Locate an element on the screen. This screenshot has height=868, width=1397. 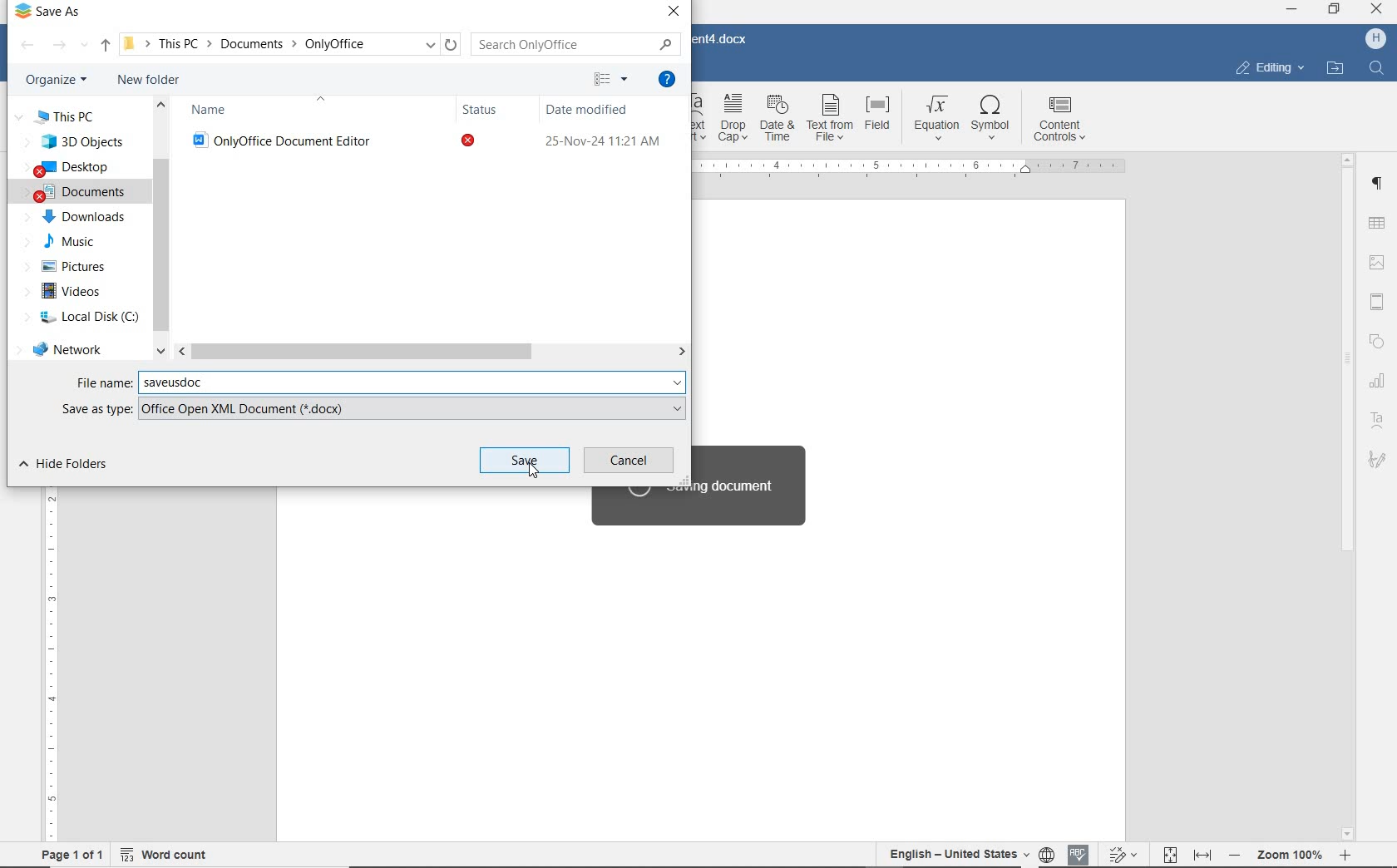
local disk (C) is located at coordinates (79, 316).